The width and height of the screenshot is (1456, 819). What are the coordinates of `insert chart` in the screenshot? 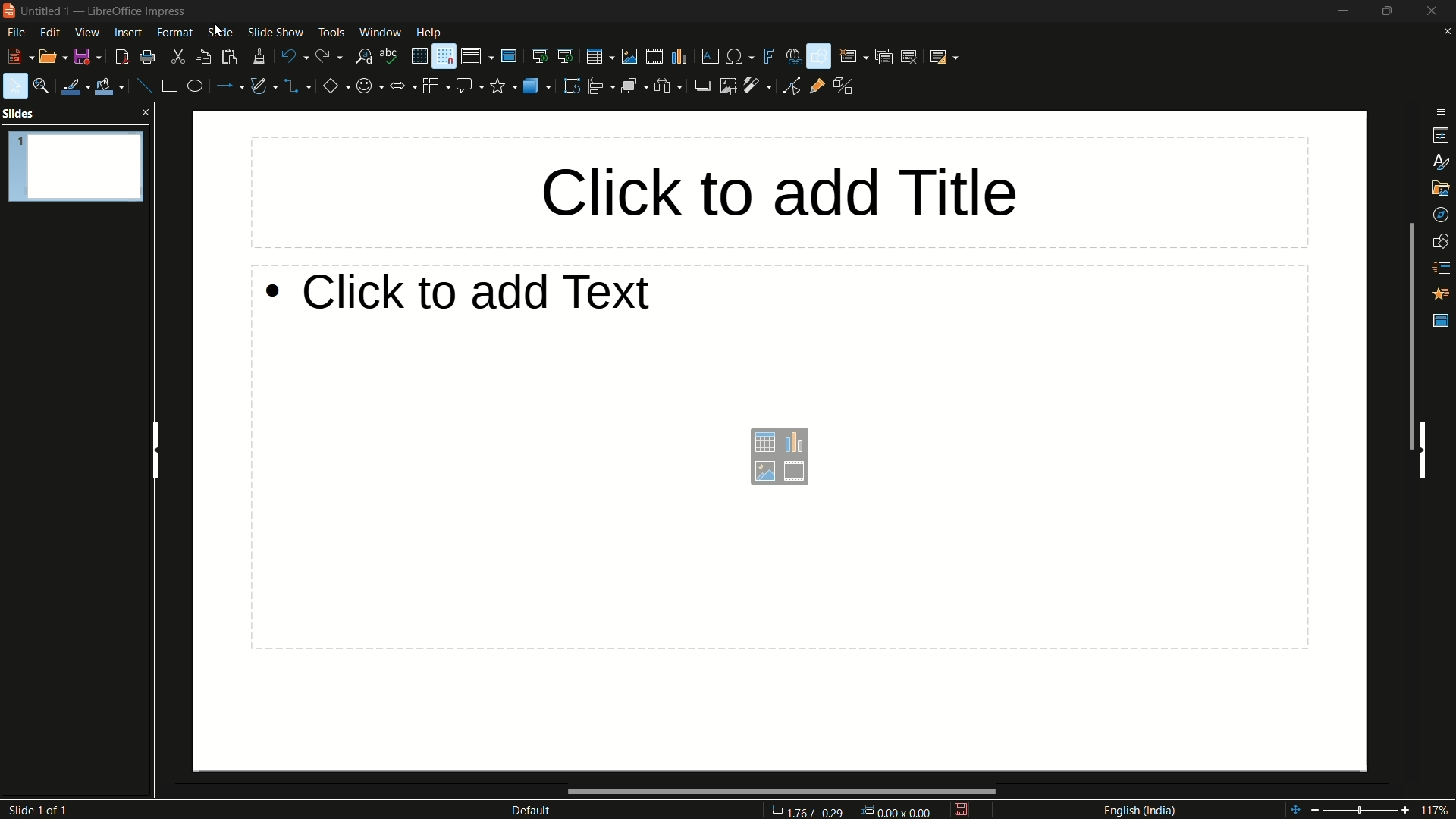 It's located at (794, 443).